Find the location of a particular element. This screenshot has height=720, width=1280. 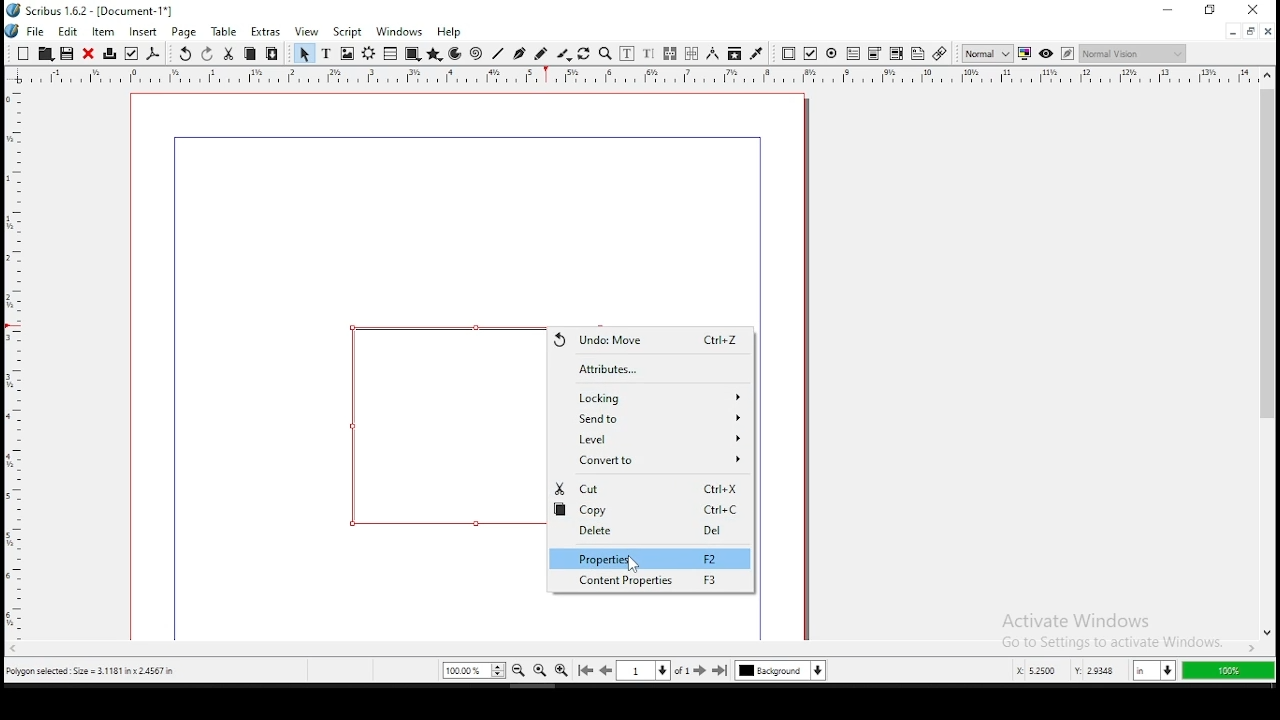

content properties is located at coordinates (652, 581).